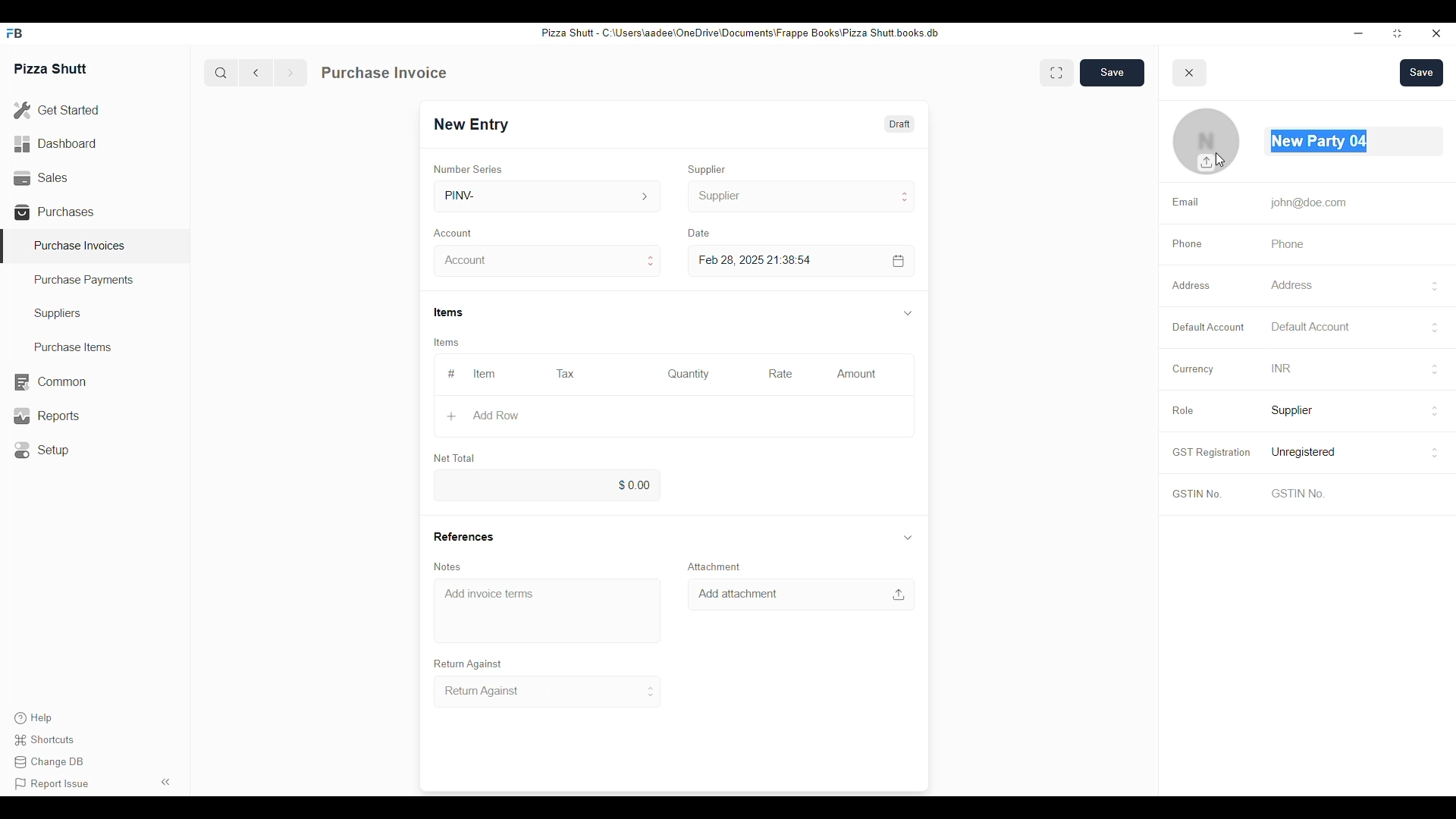 This screenshot has width=1456, height=819. What do you see at coordinates (711, 566) in the screenshot?
I see `Attachment` at bounding box center [711, 566].